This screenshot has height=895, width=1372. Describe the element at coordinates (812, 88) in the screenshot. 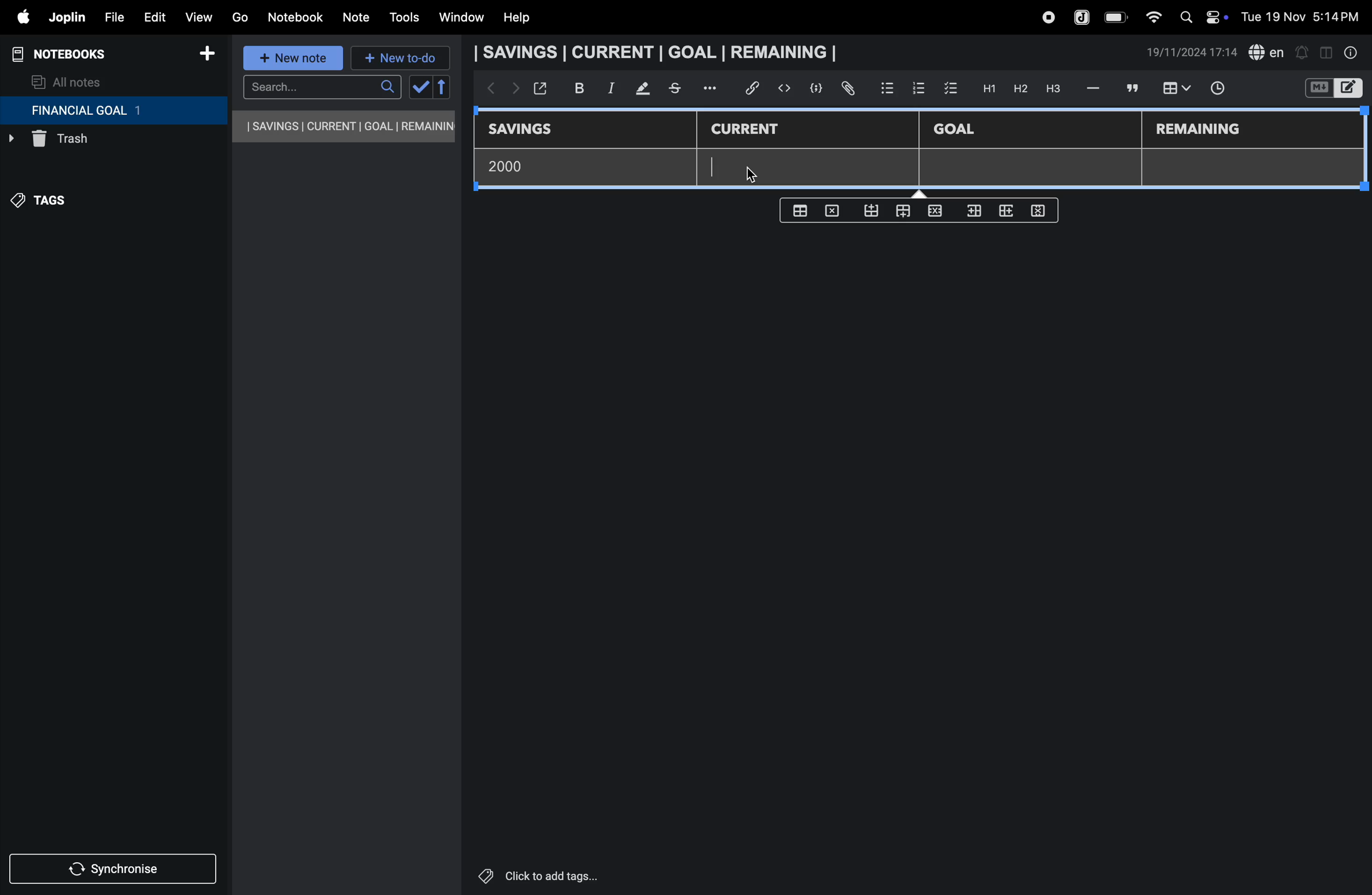

I see `code block` at that location.